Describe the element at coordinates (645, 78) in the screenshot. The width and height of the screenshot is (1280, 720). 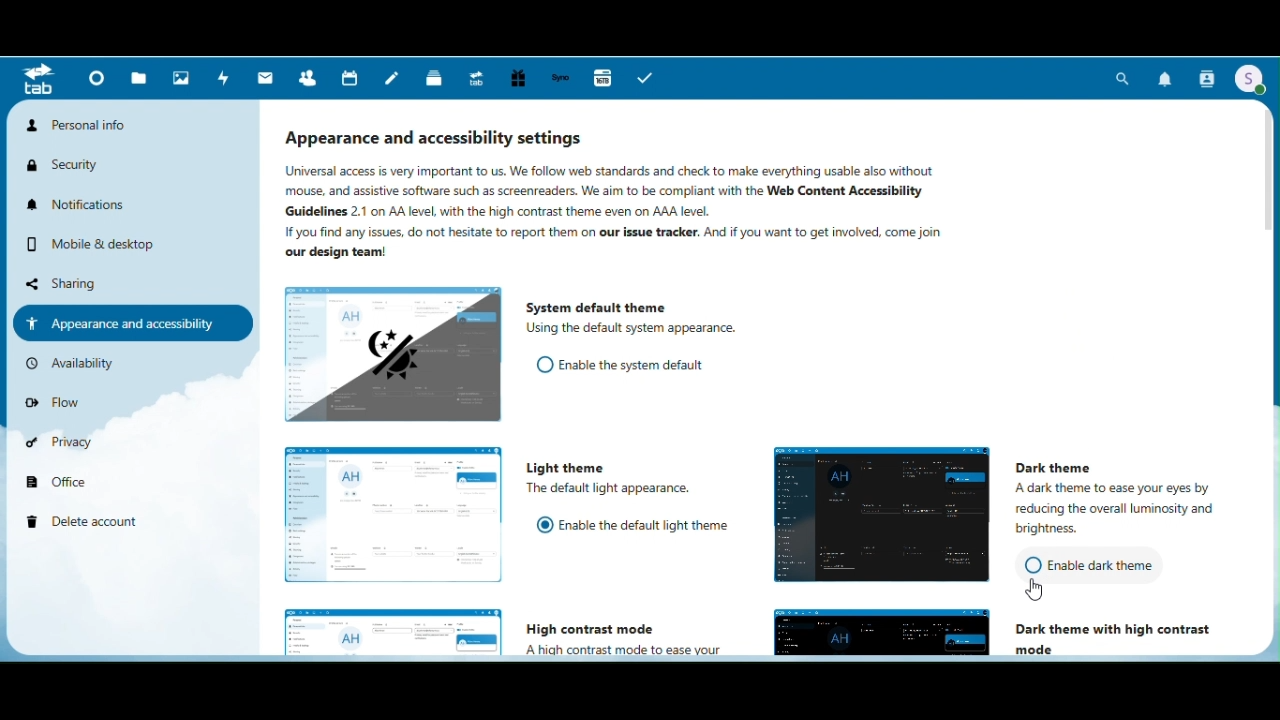
I see `tasks` at that location.